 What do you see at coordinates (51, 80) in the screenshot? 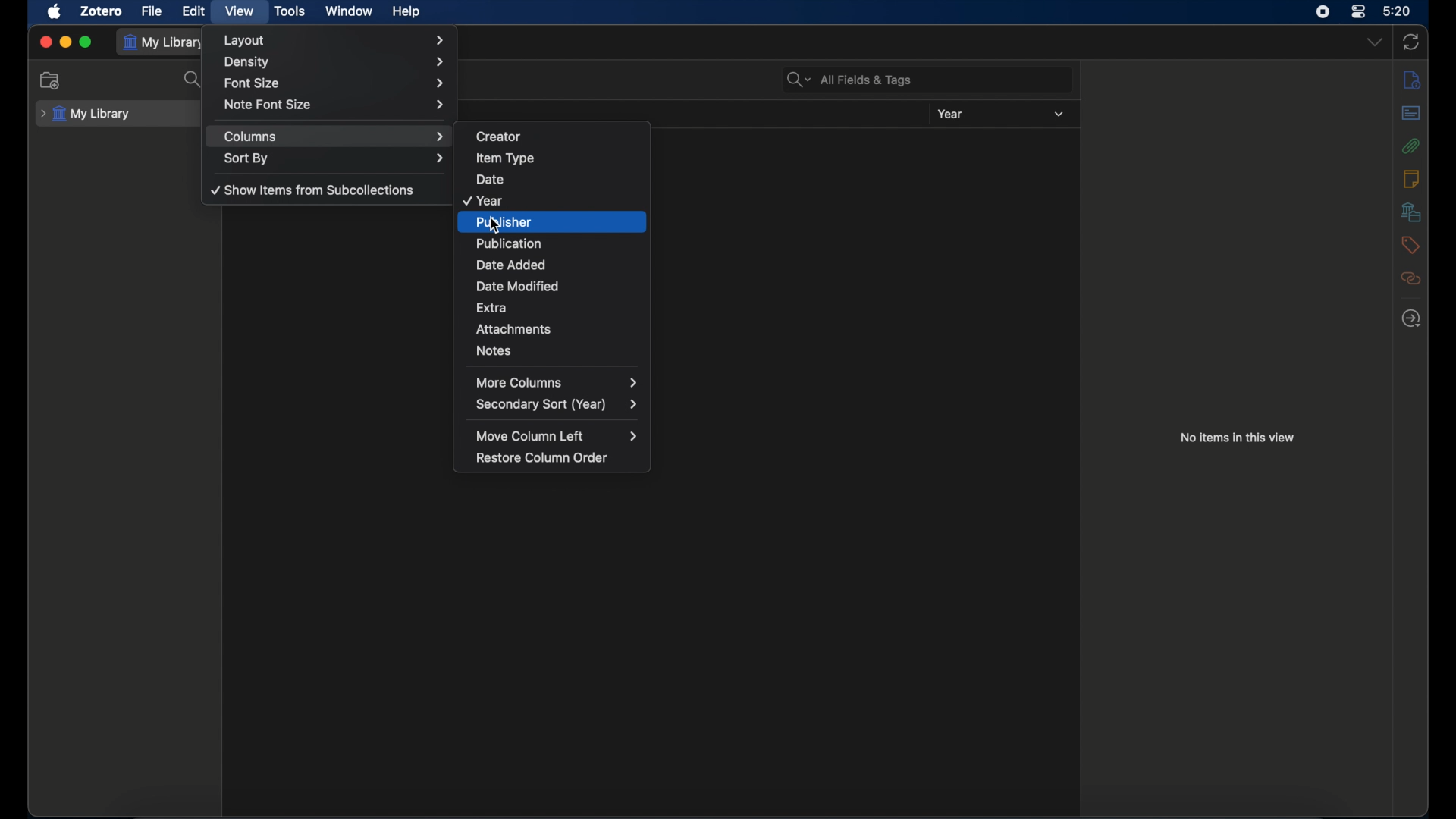
I see `new collection` at bounding box center [51, 80].